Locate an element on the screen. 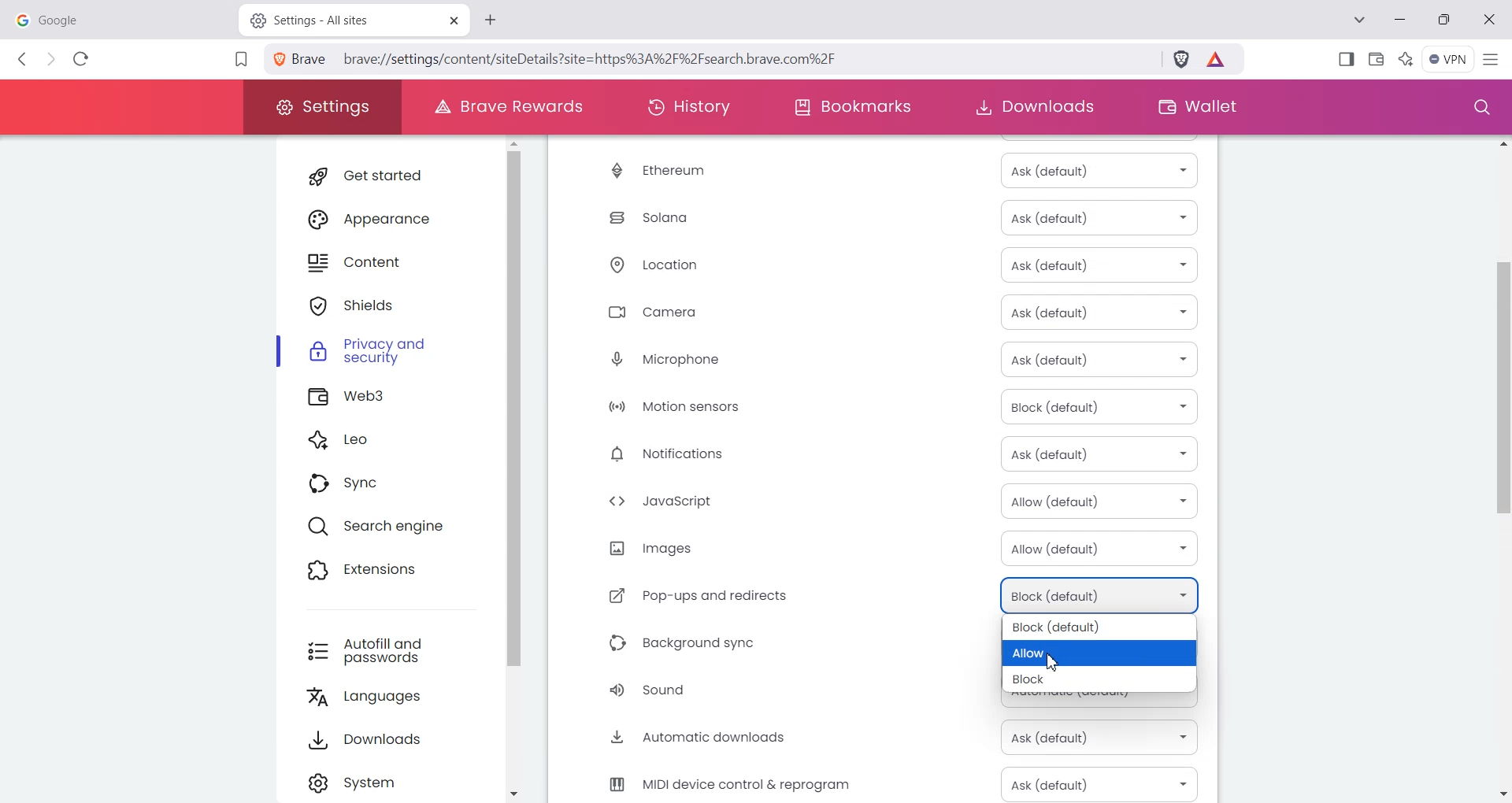 The height and width of the screenshot is (803, 1512). Forward is located at coordinates (50, 60).